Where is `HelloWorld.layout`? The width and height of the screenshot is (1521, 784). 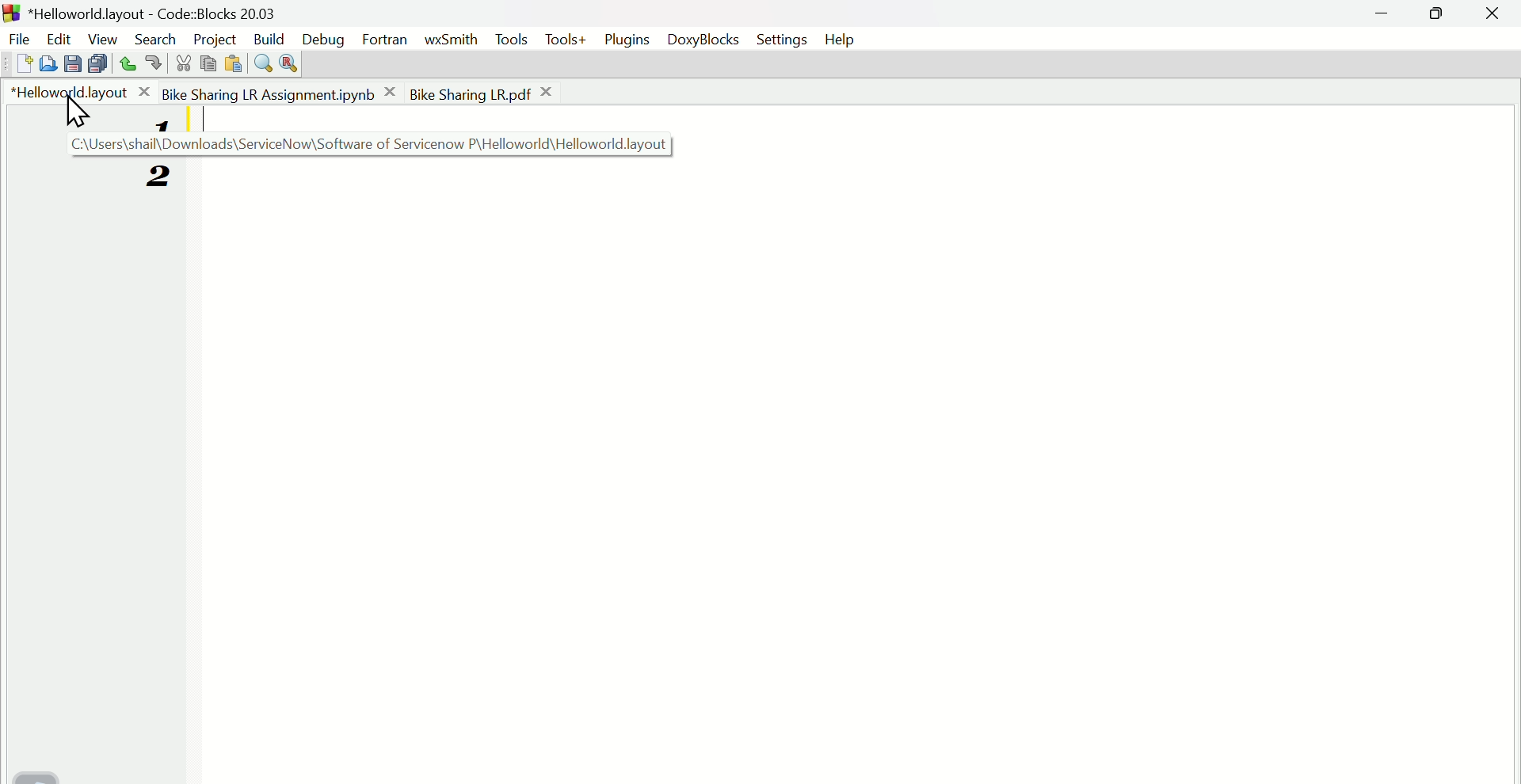
HelloWorld.layout is located at coordinates (83, 91).